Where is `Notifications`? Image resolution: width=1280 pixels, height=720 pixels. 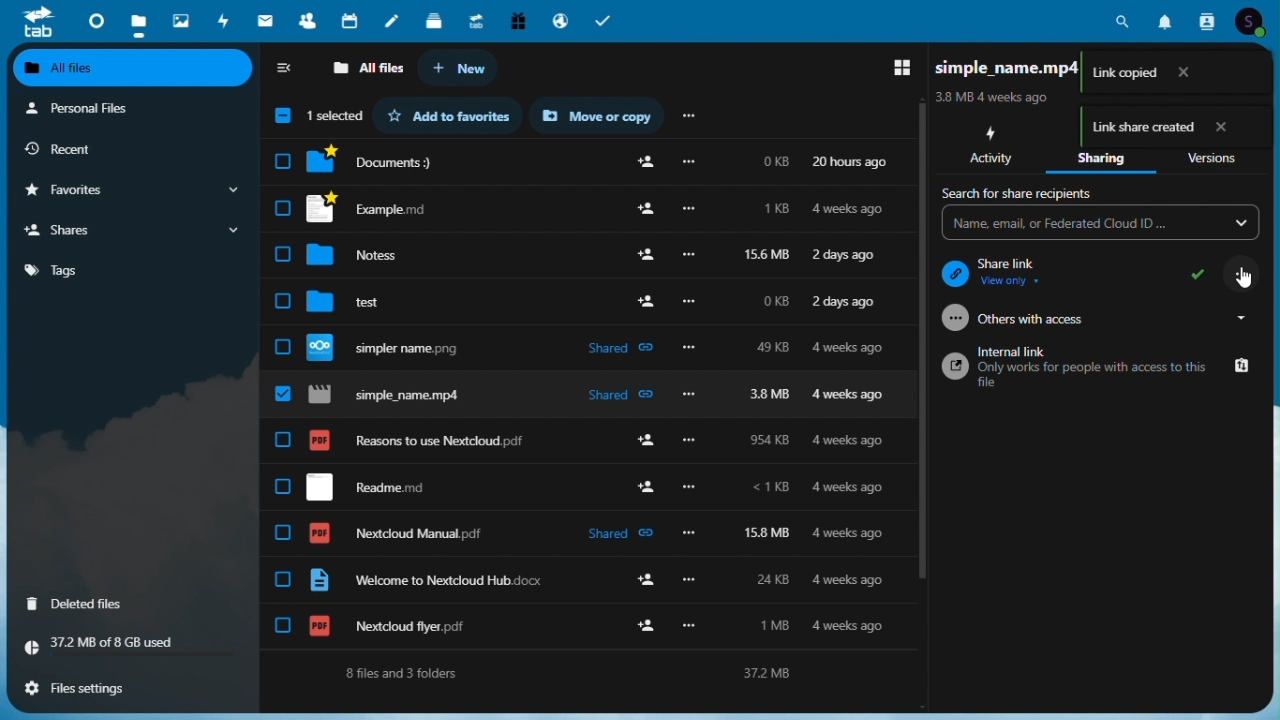
Notifications is located at coordinates (1167, 19).